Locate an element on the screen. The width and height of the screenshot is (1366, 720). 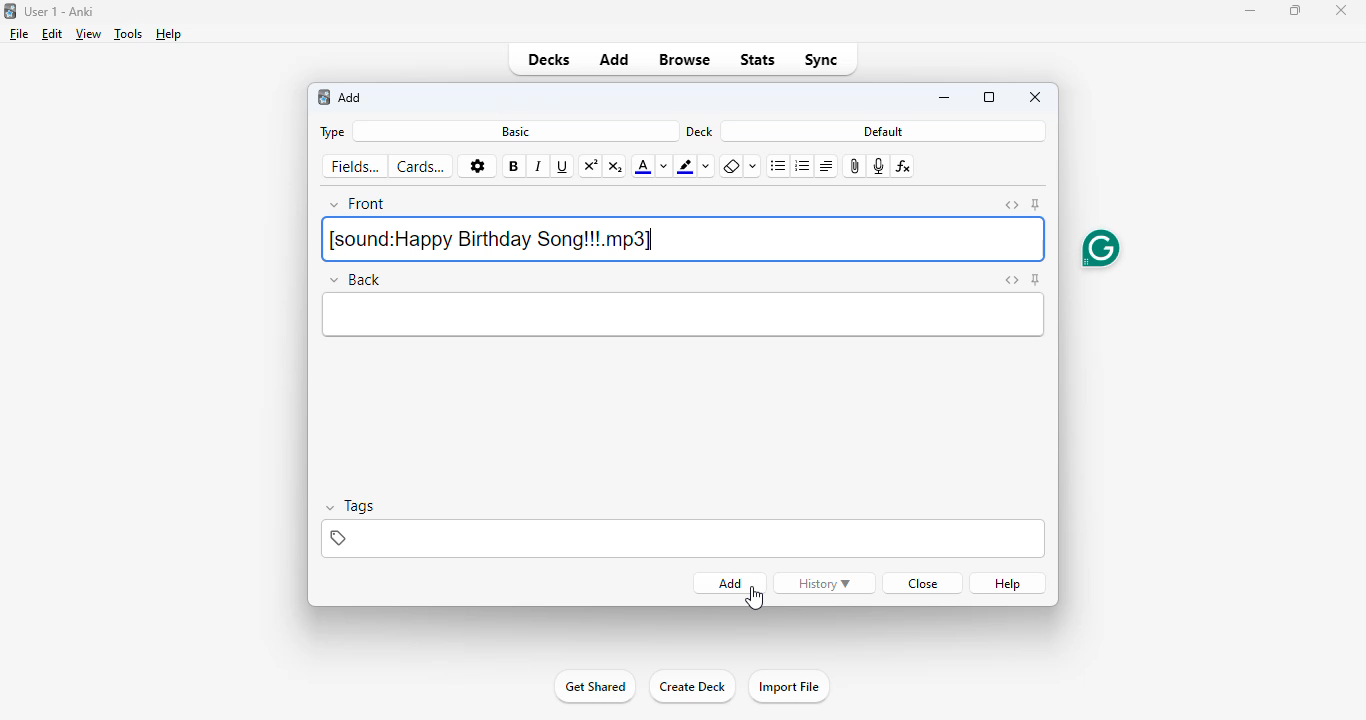
change color is located at coordinates (664, 166).